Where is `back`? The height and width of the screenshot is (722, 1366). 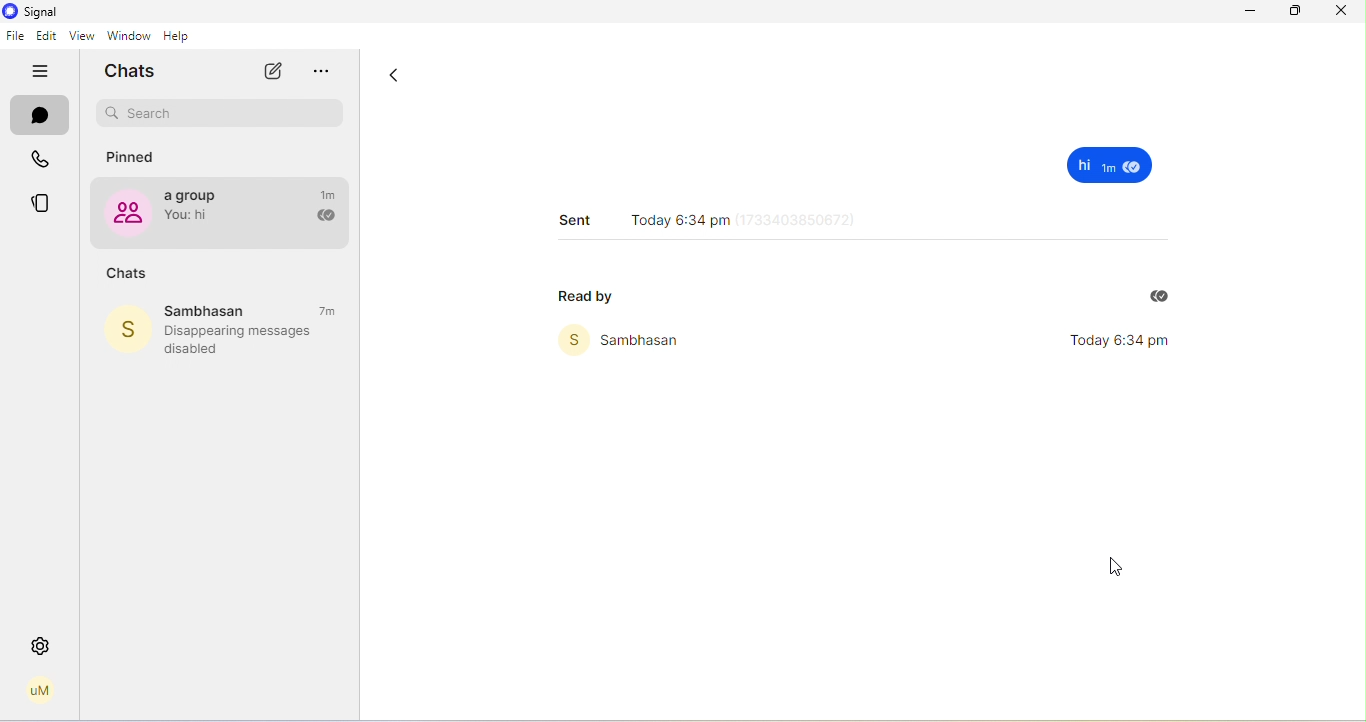 back is located at coordinates (394, 79).